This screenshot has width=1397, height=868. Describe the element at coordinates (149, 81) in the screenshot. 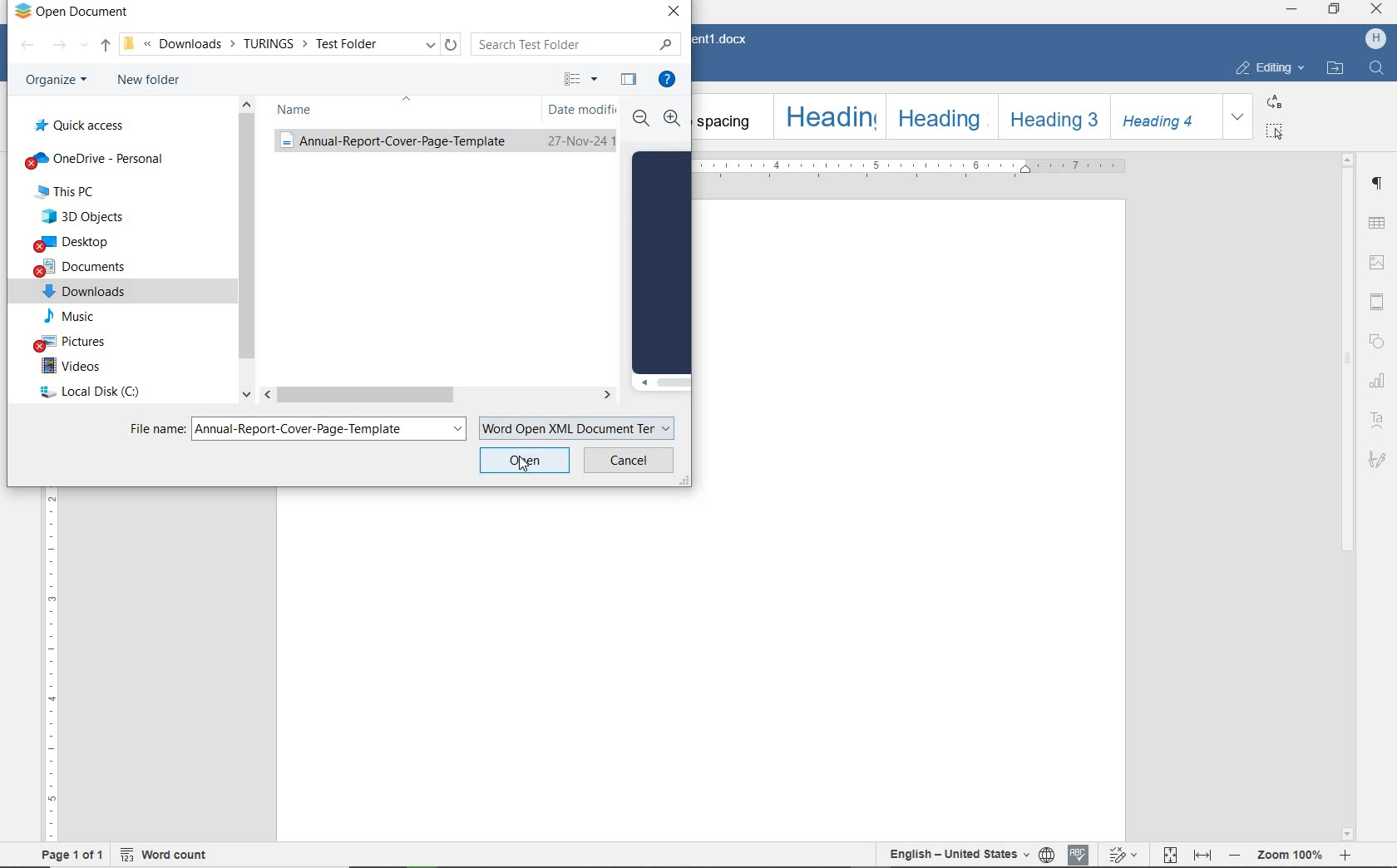

I see `new folder` at that location.